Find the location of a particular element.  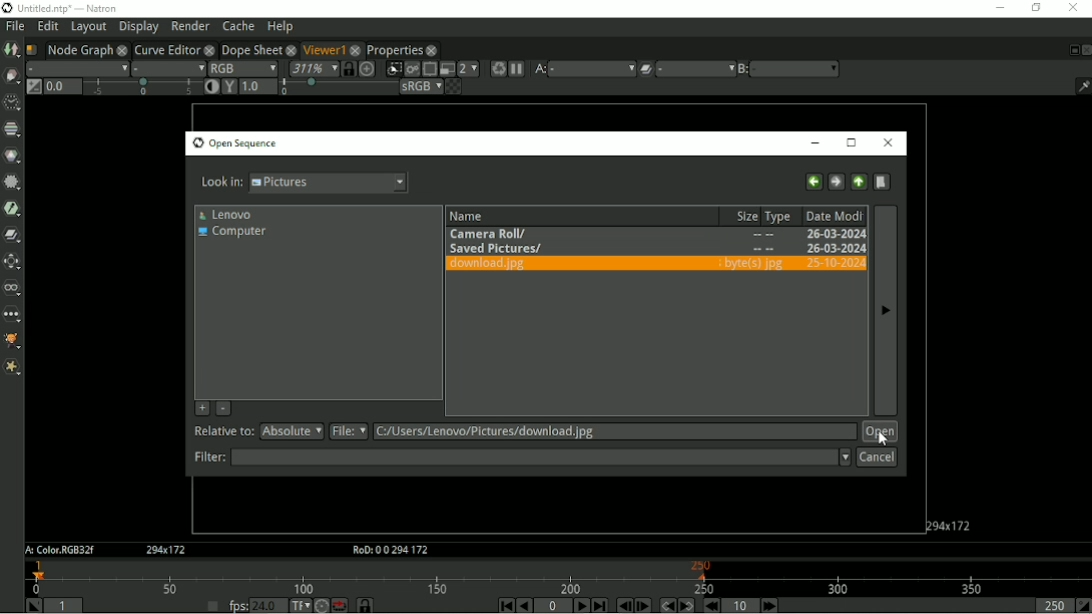

Synchronize  is located at coordinates (348, 68).